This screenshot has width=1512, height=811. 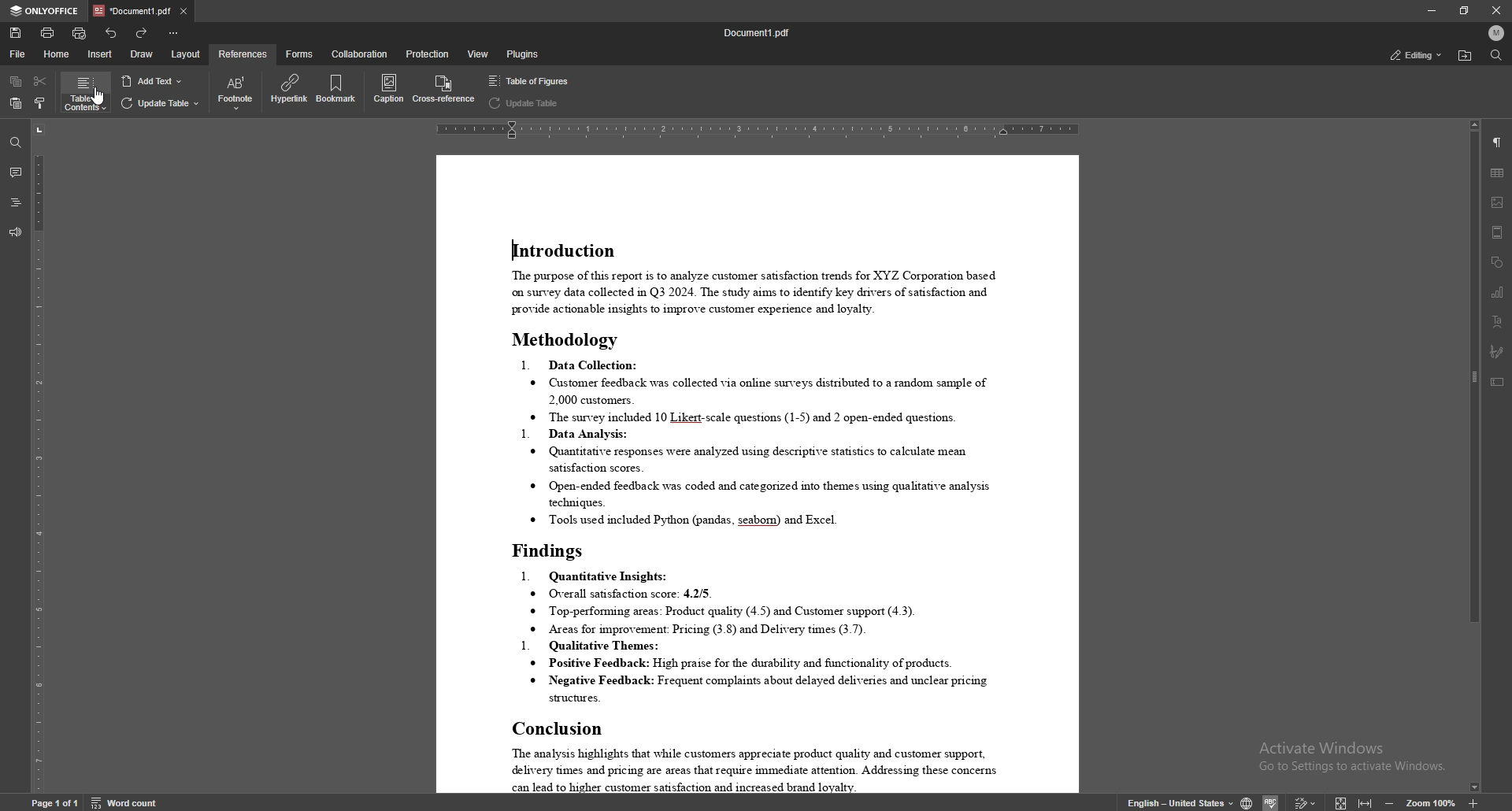 I want to click on , so click(x=1270, y=802).